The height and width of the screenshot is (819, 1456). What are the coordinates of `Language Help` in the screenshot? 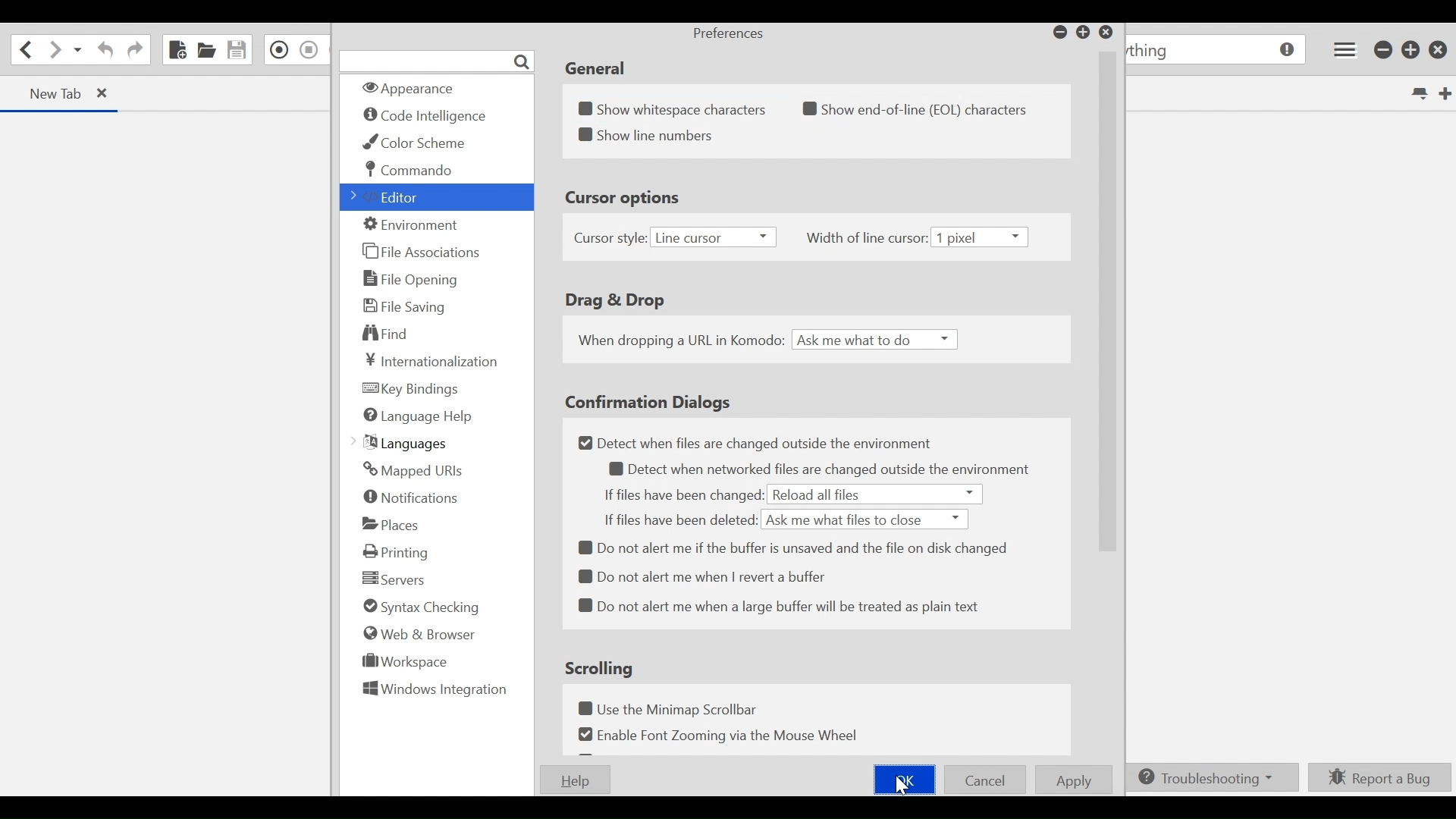 It's located at (417, 416).